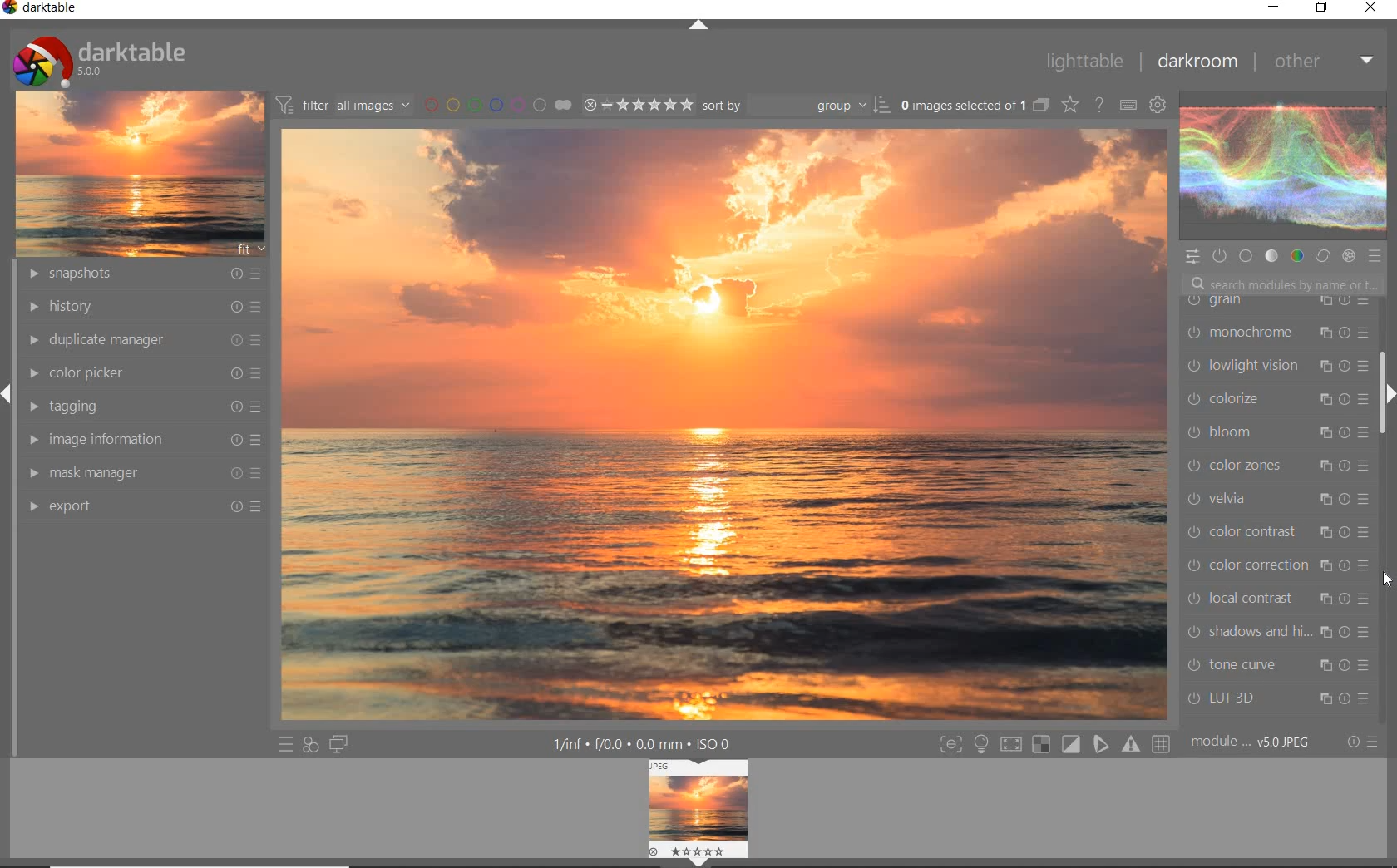  Describe the element at coordinates (1276, 334) in the screenshot. I see `monochrome` at that location.